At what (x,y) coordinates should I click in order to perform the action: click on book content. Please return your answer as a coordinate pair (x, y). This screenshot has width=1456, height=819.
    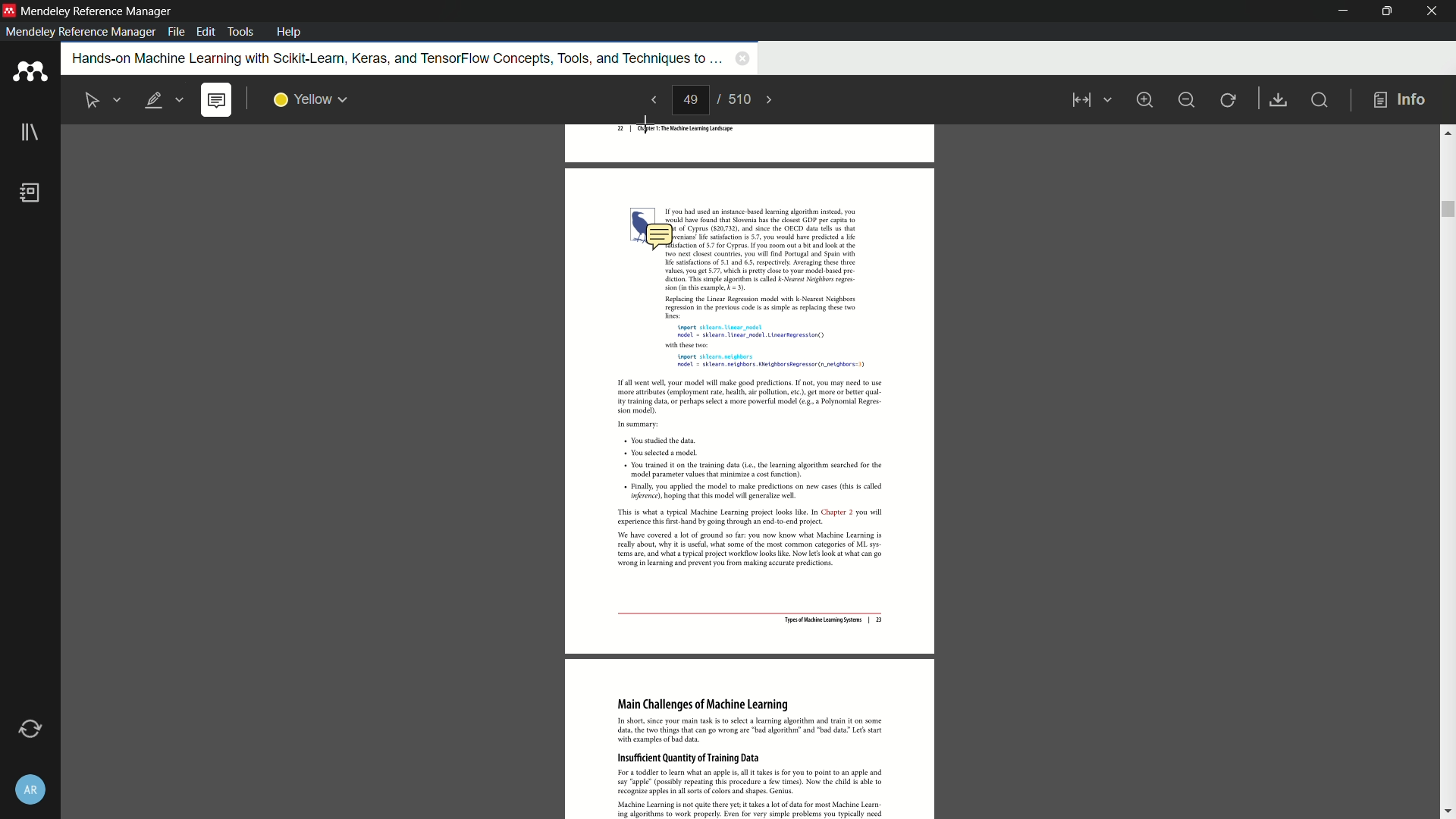
    Looking at the image, I should click on (752, 538).